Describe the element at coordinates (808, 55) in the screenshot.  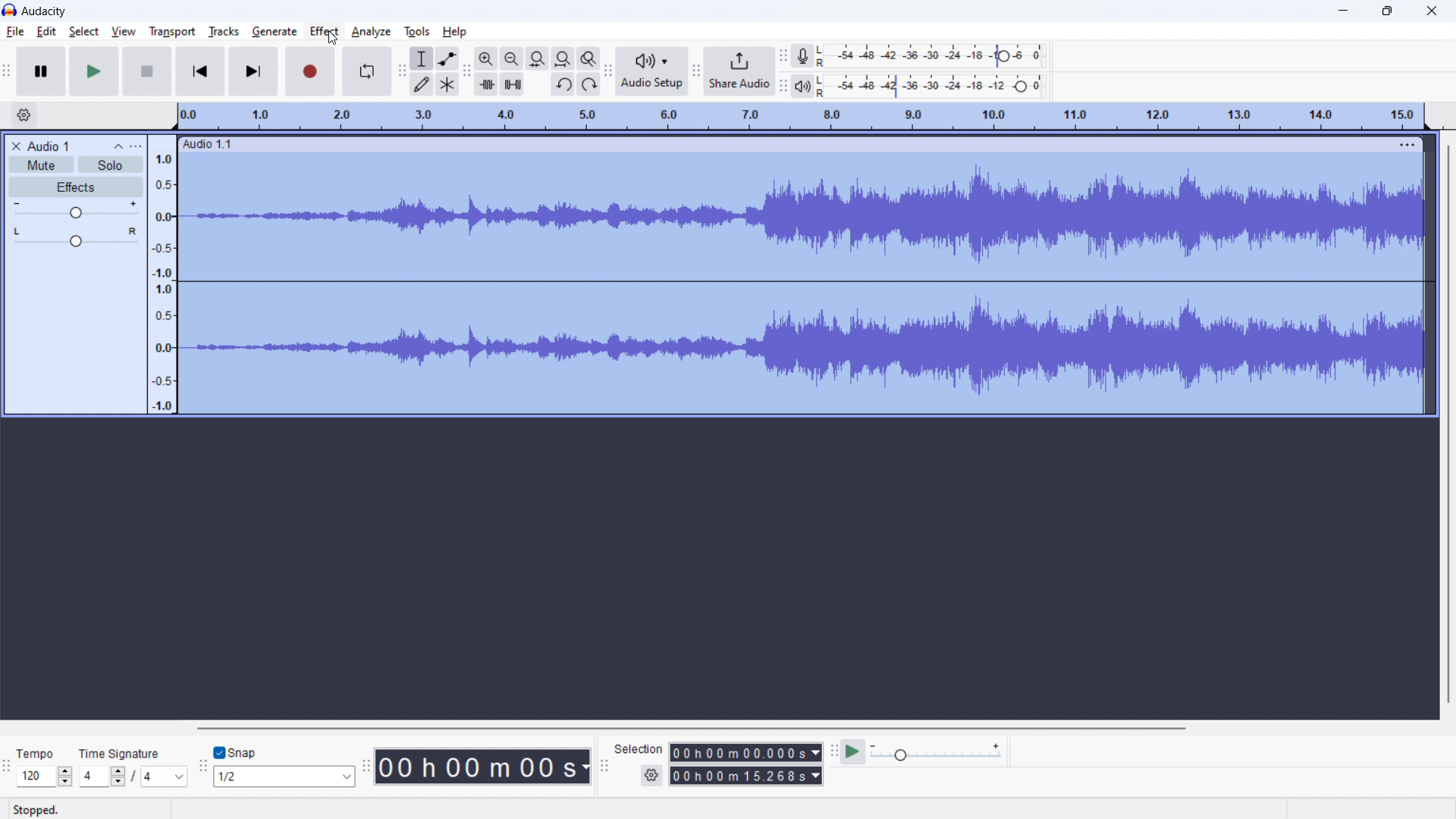
I see `recording meter` at that location.